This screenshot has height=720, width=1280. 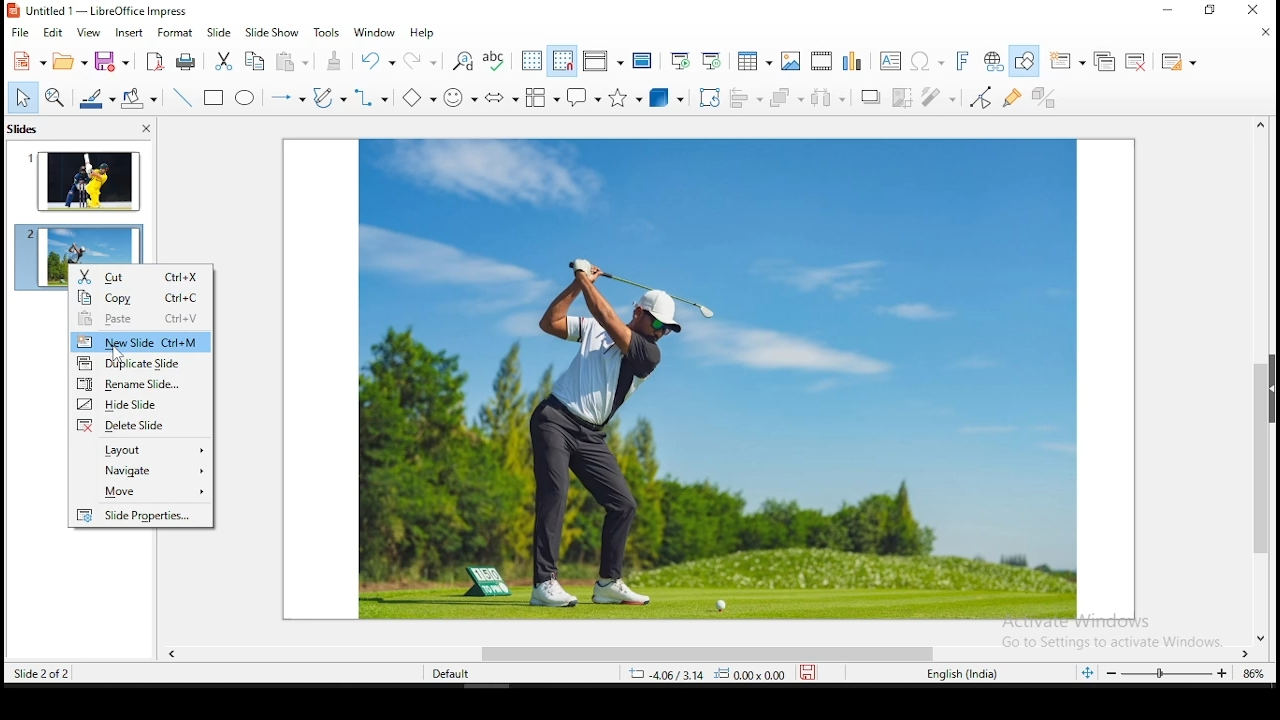 I want to click on block arrows, so click(x=500, y=96).